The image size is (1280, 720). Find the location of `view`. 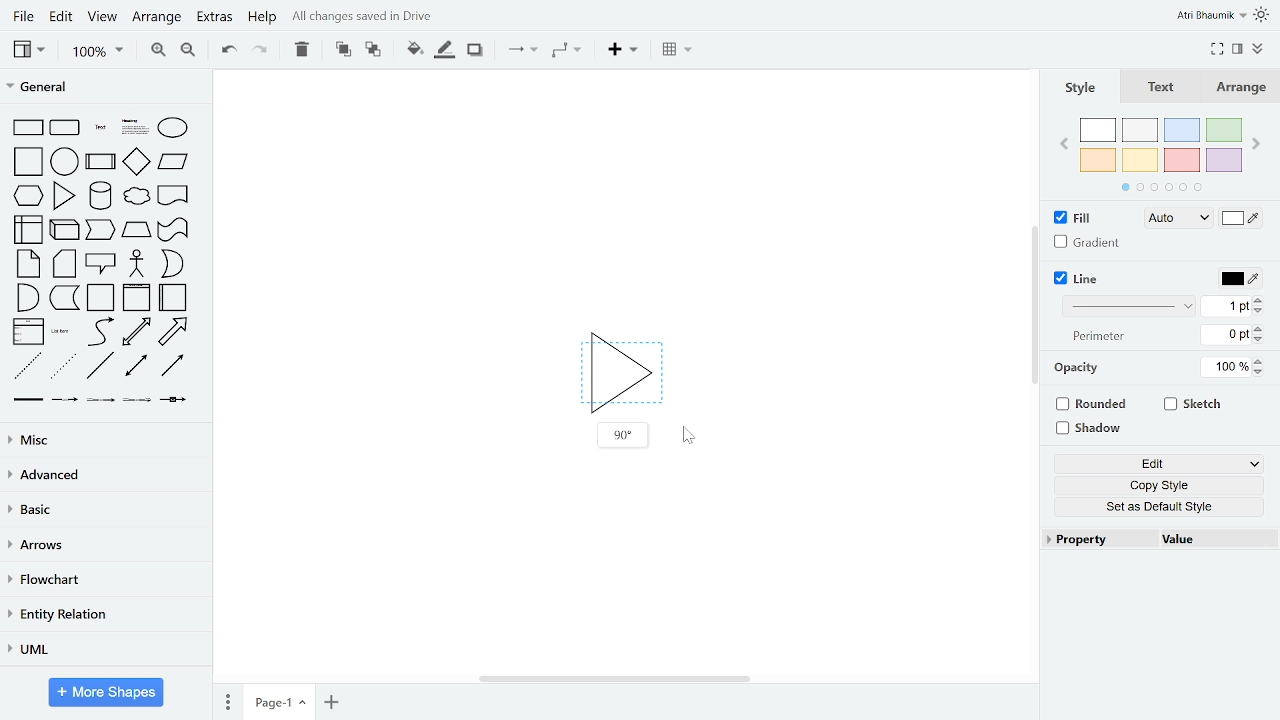

view is located at coordinates (28, 49).